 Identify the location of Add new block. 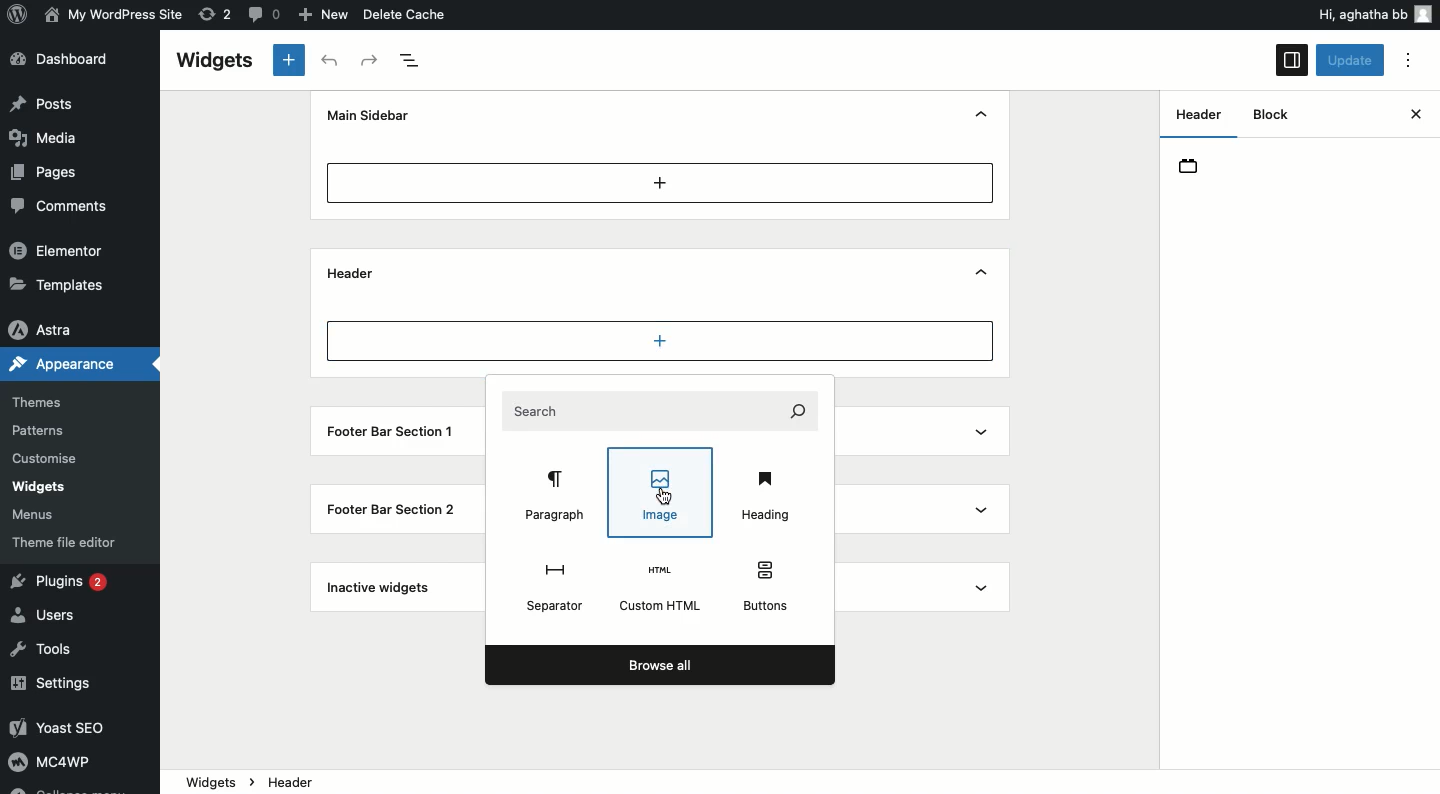
(659, 340).